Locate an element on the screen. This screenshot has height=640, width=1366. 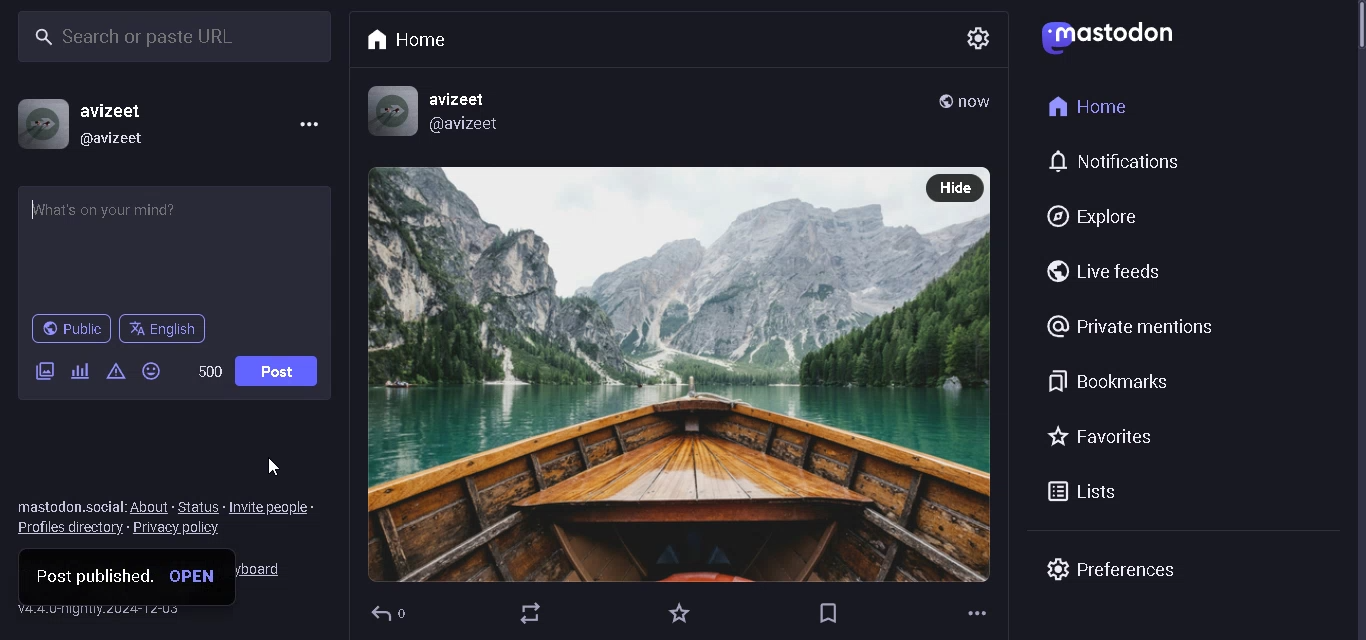
favorites is located at coordinates (1100, 439).